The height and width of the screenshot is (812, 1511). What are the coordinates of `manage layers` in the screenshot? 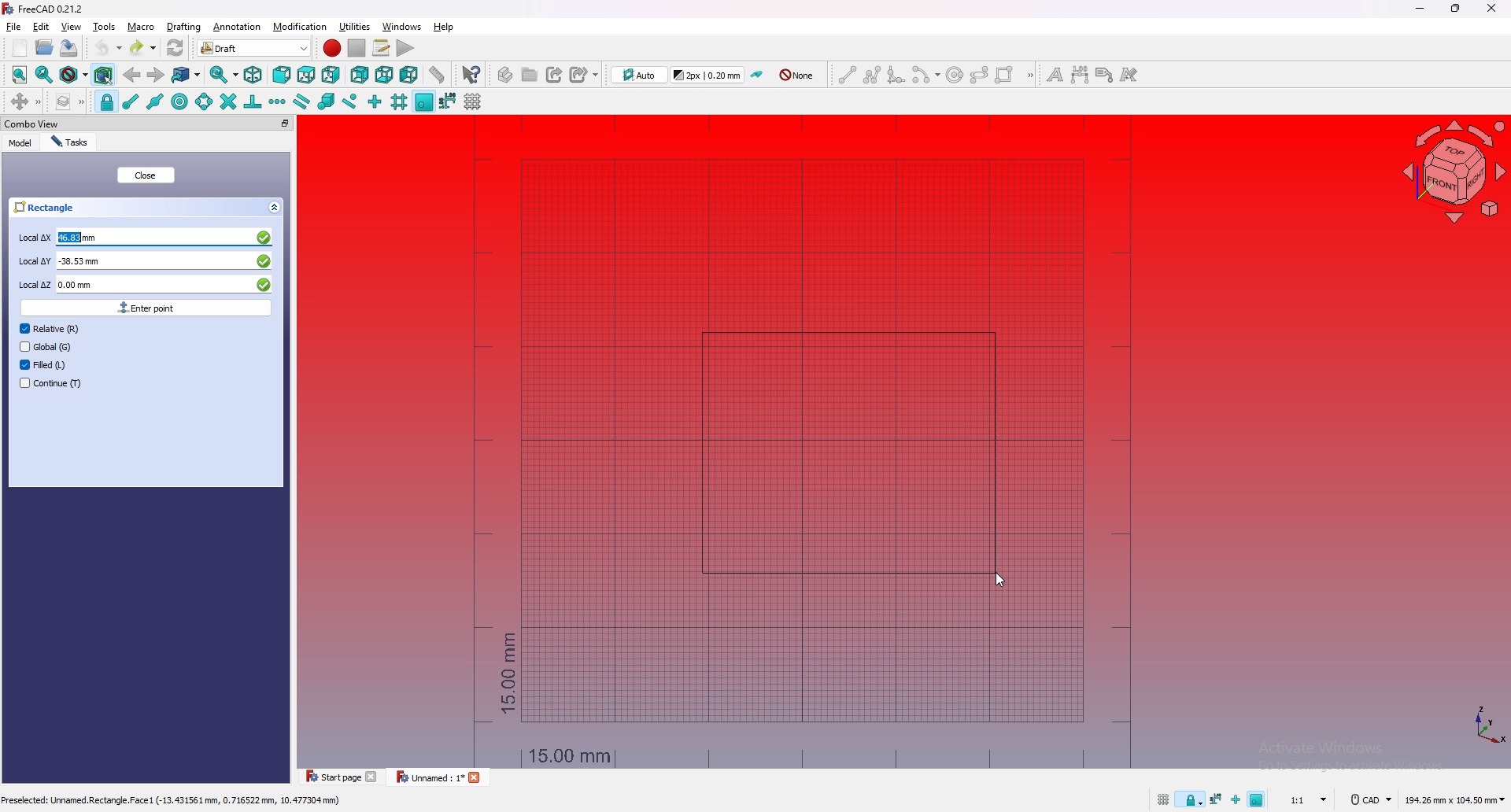 It's located at (69, 101).